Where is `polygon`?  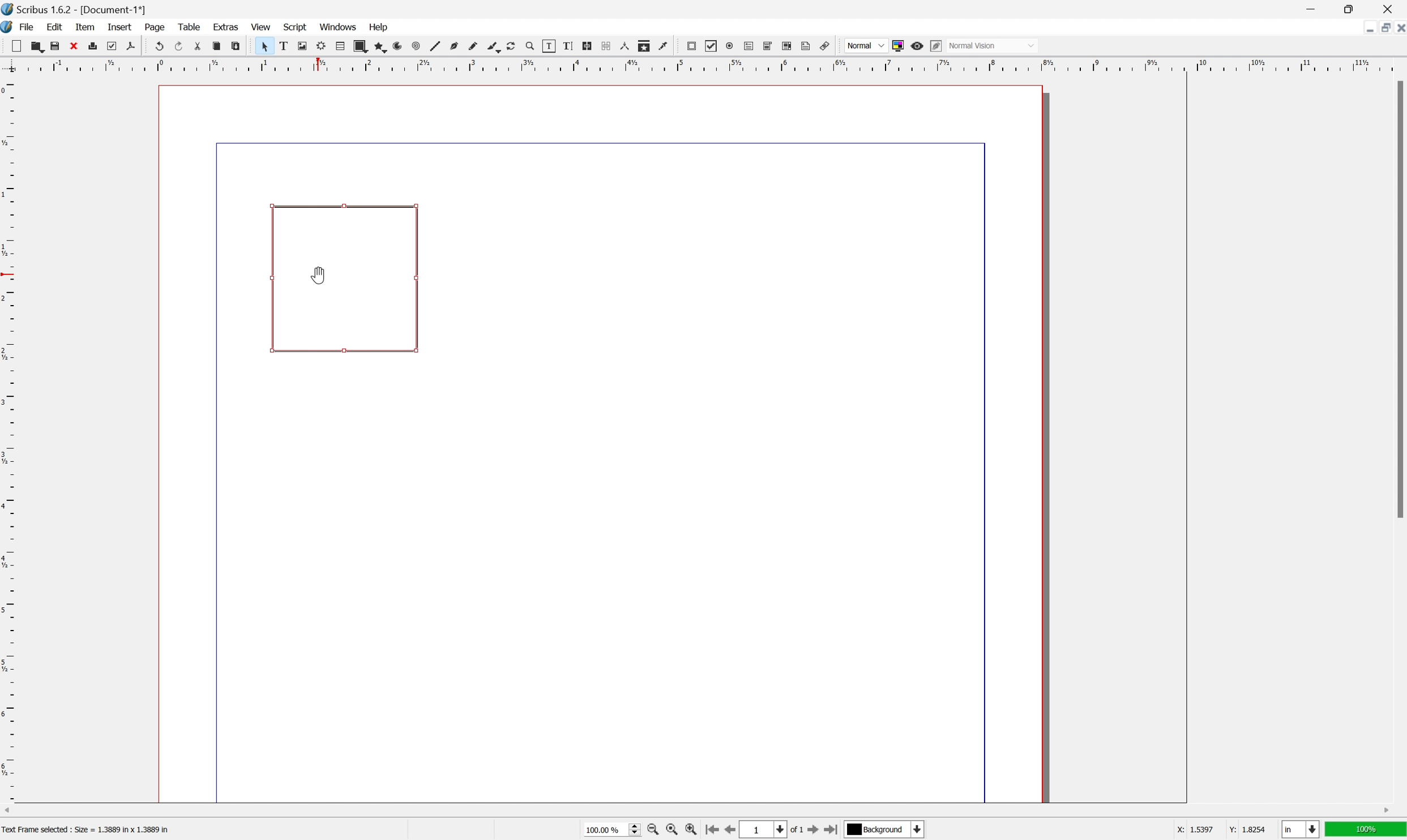 polygon is located at coordinates (382, 48).